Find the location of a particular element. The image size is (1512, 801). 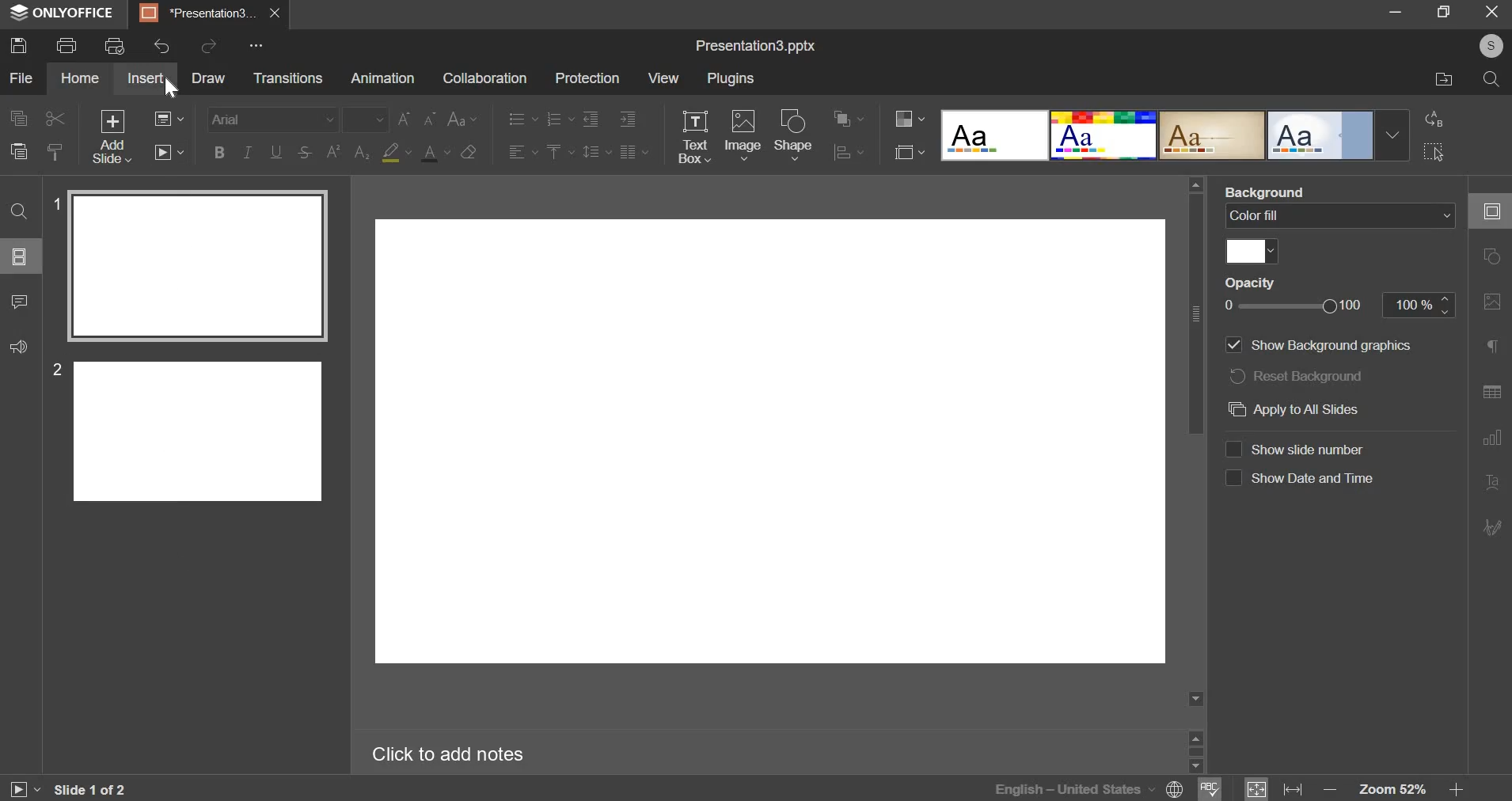

Scroll down is located at coordinates (1195, 699).